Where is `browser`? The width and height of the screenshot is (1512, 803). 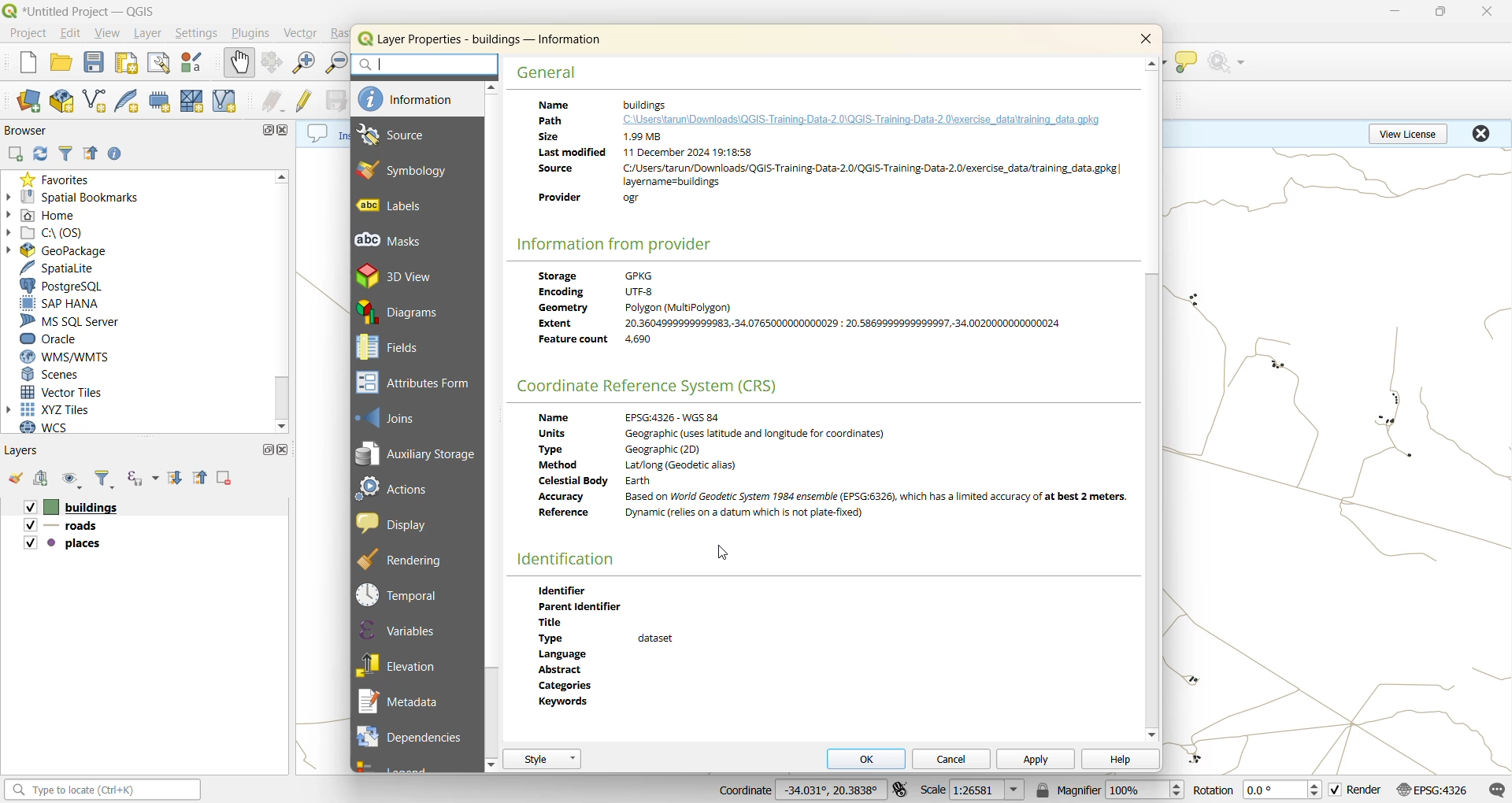
browser is located at coordinates (28, 130).